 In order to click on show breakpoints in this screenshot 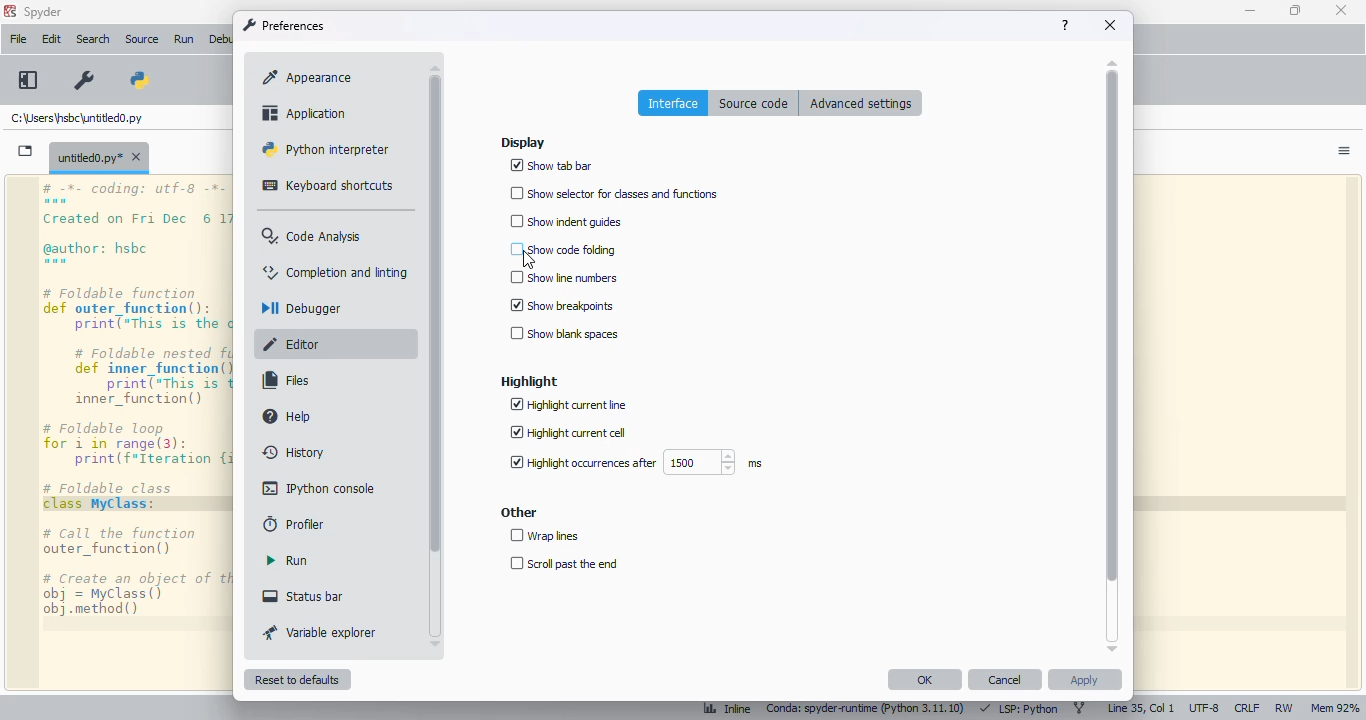, I will do `click(563, 305)`.